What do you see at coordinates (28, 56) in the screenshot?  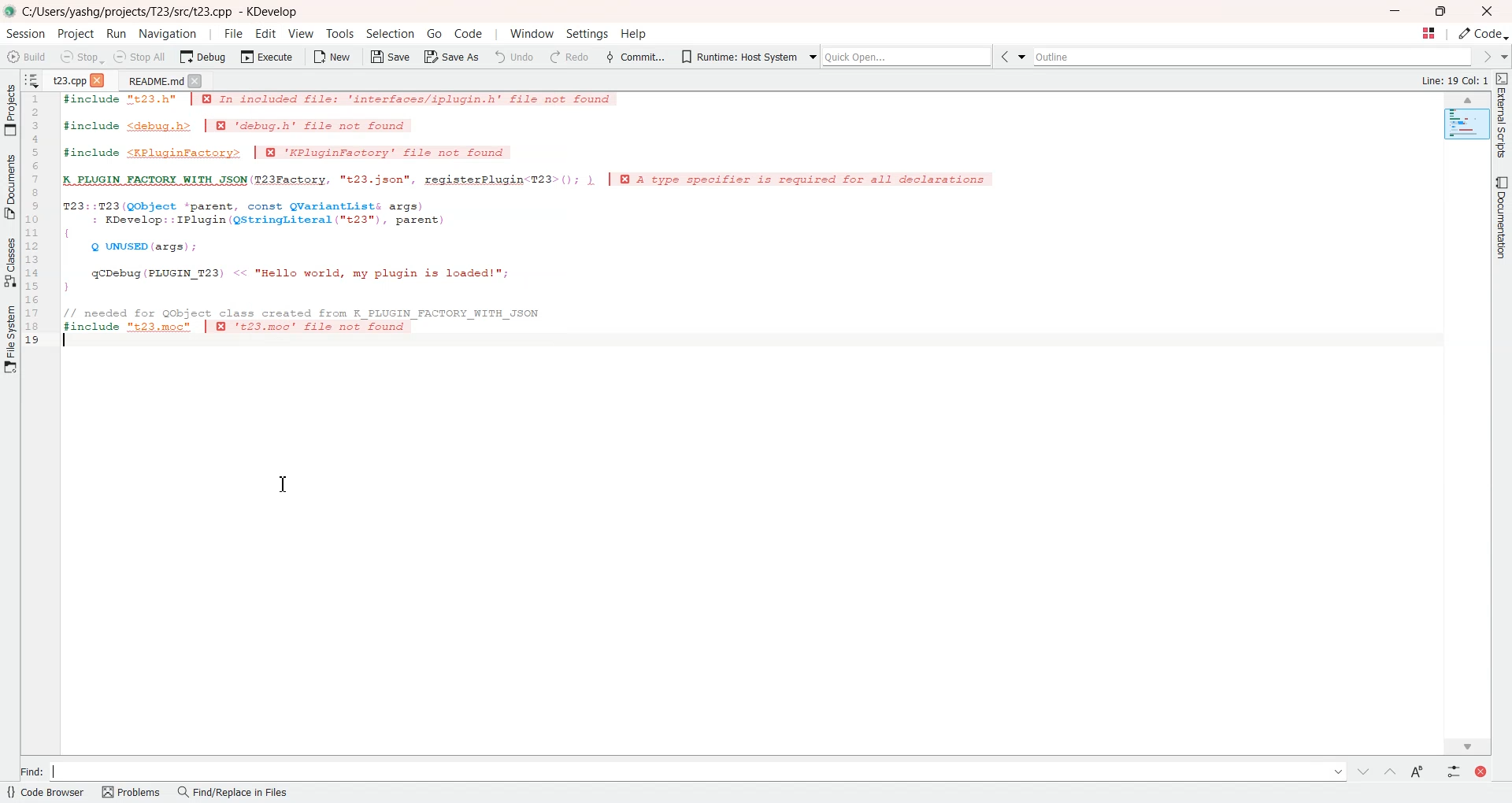 I see `Build` at bounding box center [28, 56].